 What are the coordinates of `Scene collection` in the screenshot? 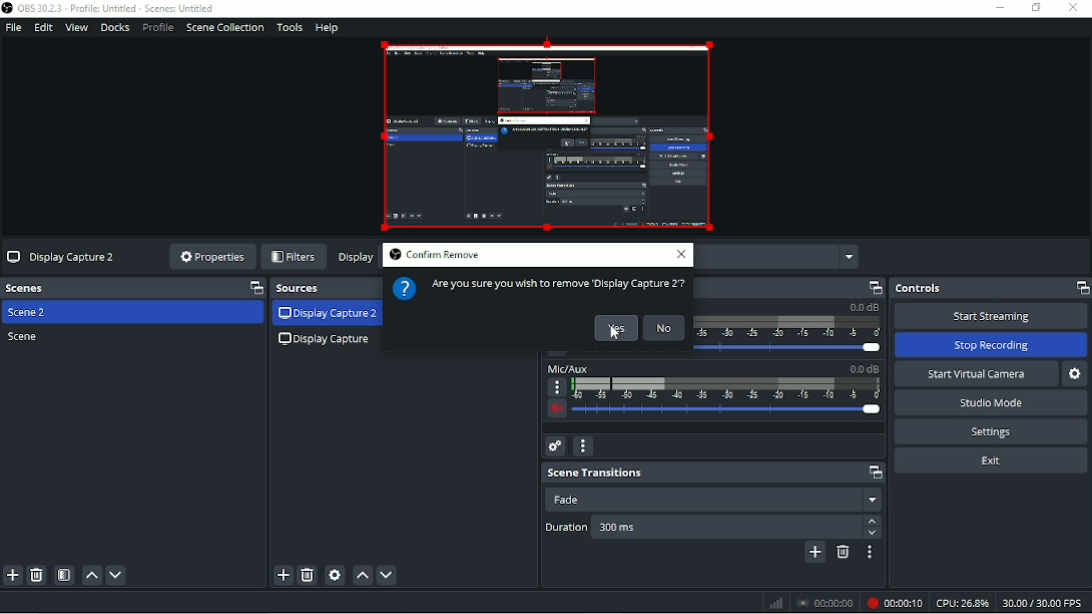 It's located at (225, 28).